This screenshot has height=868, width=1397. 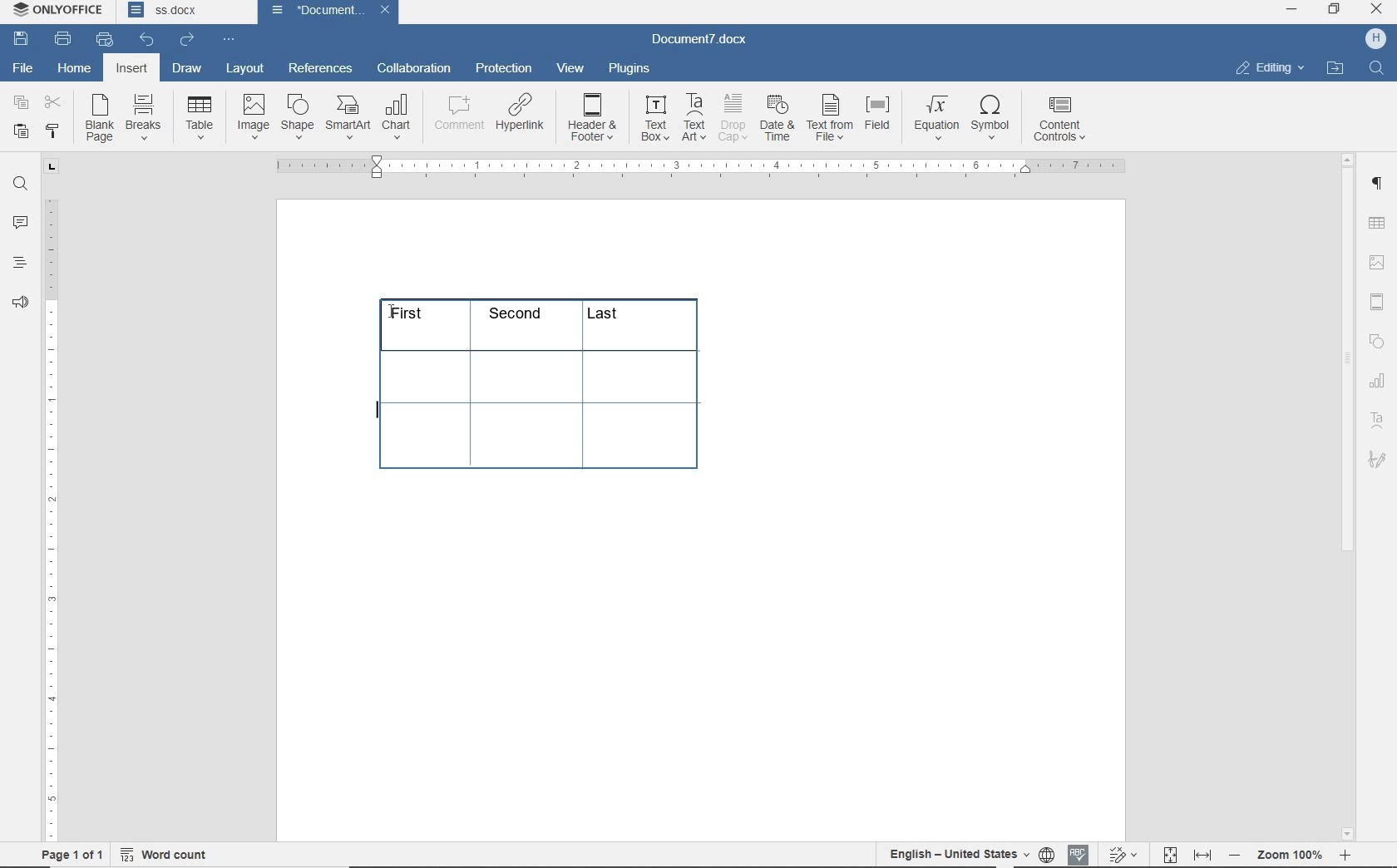 I want to click on draw, so click(x=185, y=68).